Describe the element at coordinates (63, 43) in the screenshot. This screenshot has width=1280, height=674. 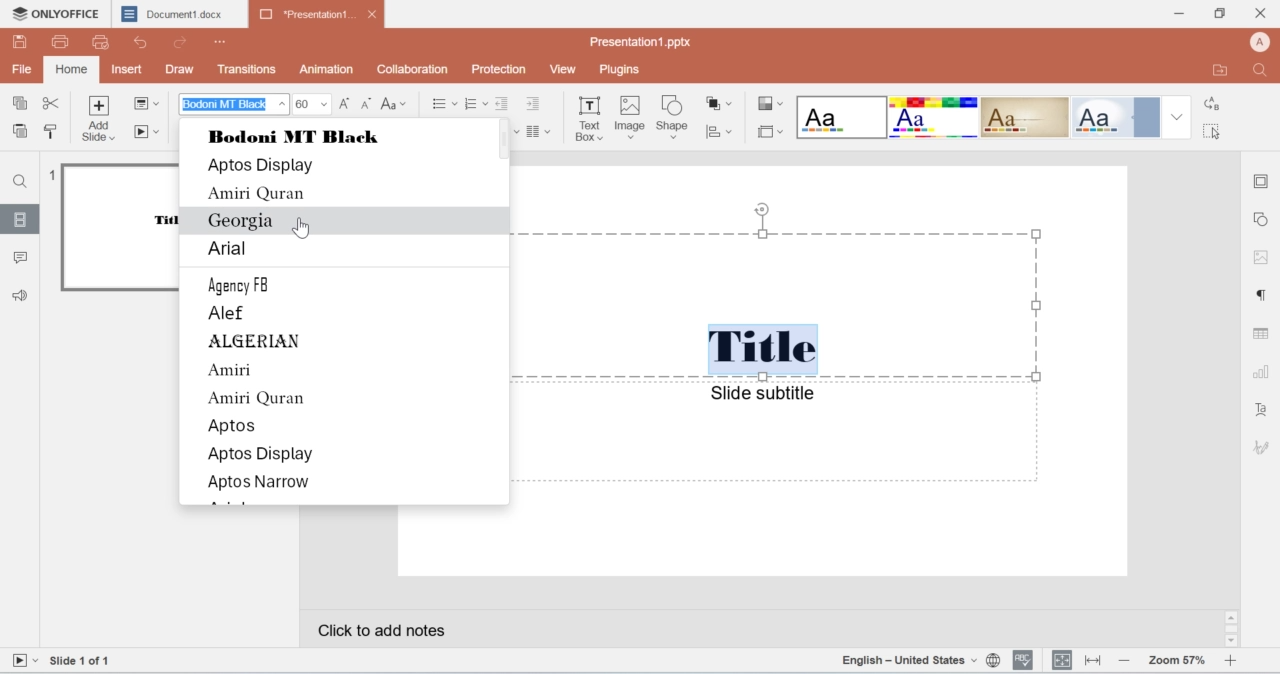
I see `print` at that location.